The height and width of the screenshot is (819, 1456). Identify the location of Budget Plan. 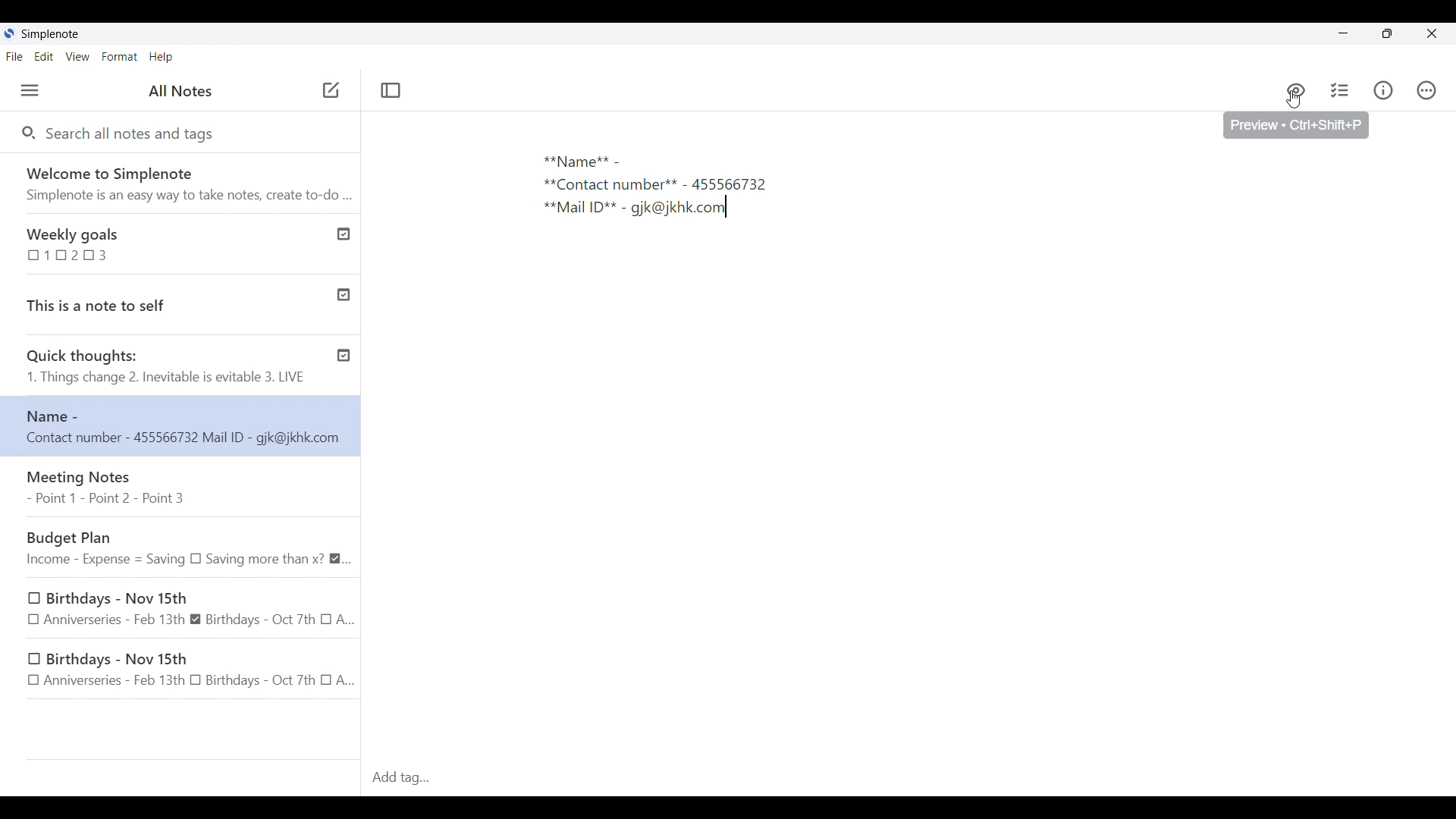
(186, 546).